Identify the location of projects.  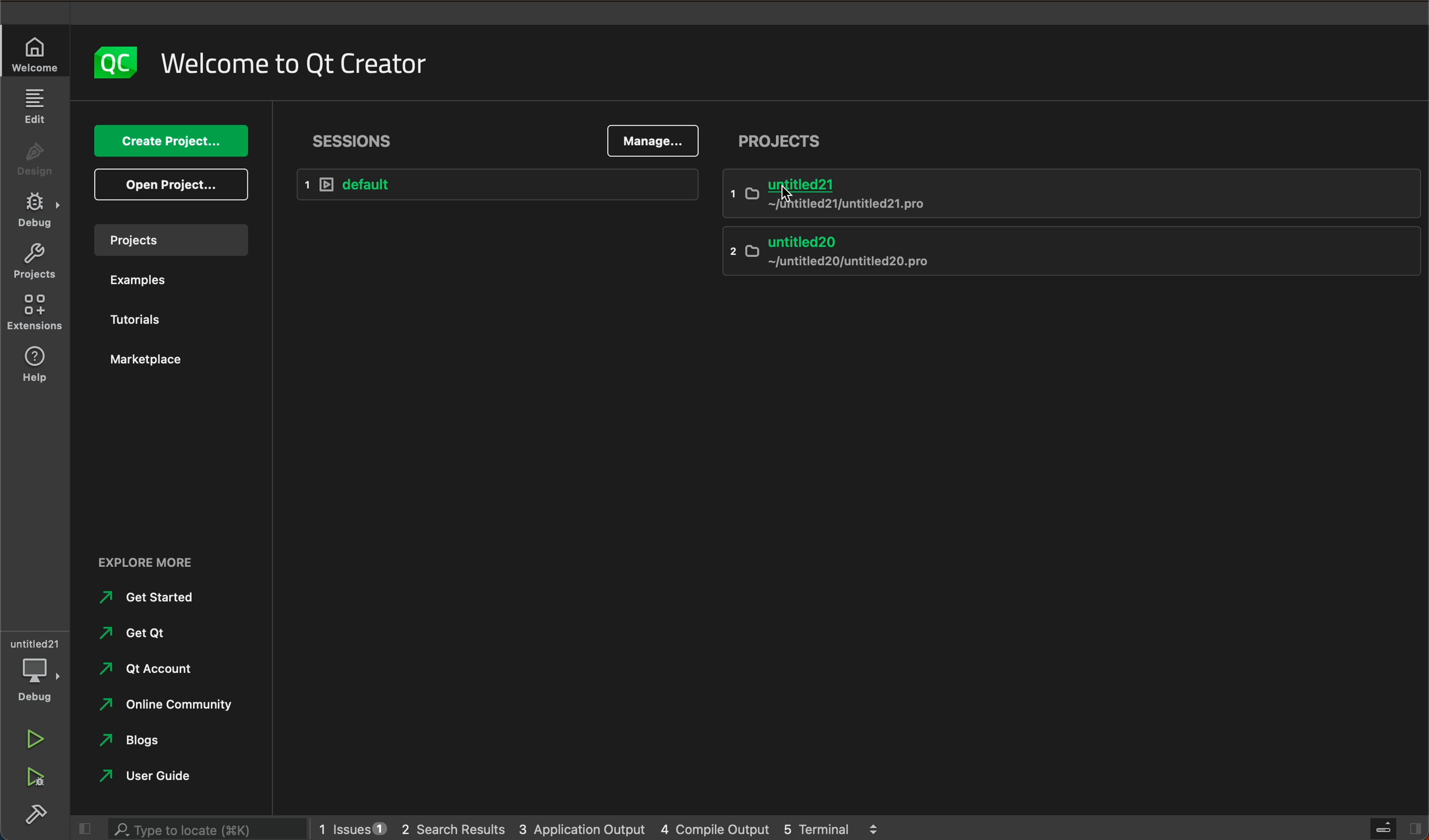
(35, 261).